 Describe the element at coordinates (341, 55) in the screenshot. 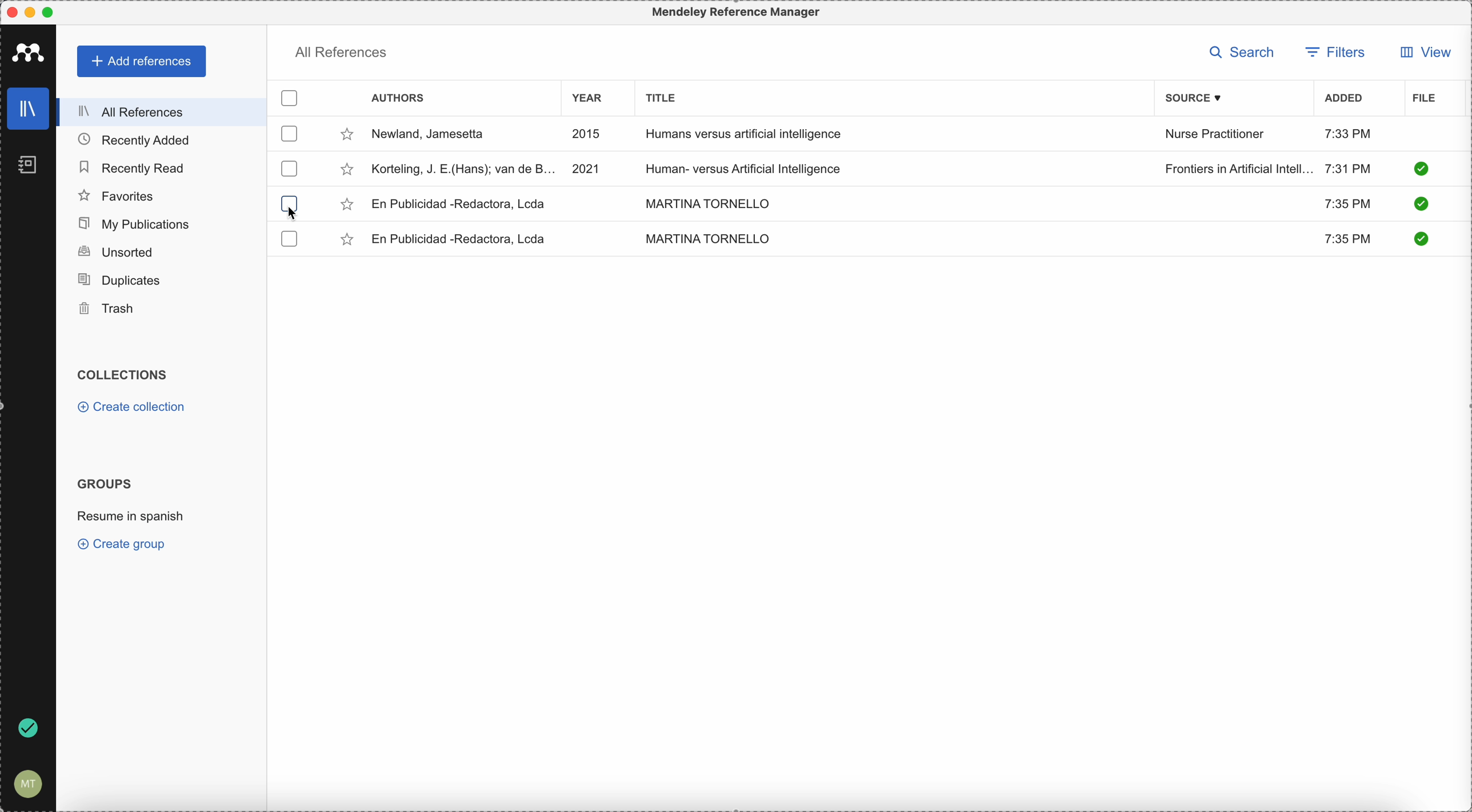

I see `all references` at that location.